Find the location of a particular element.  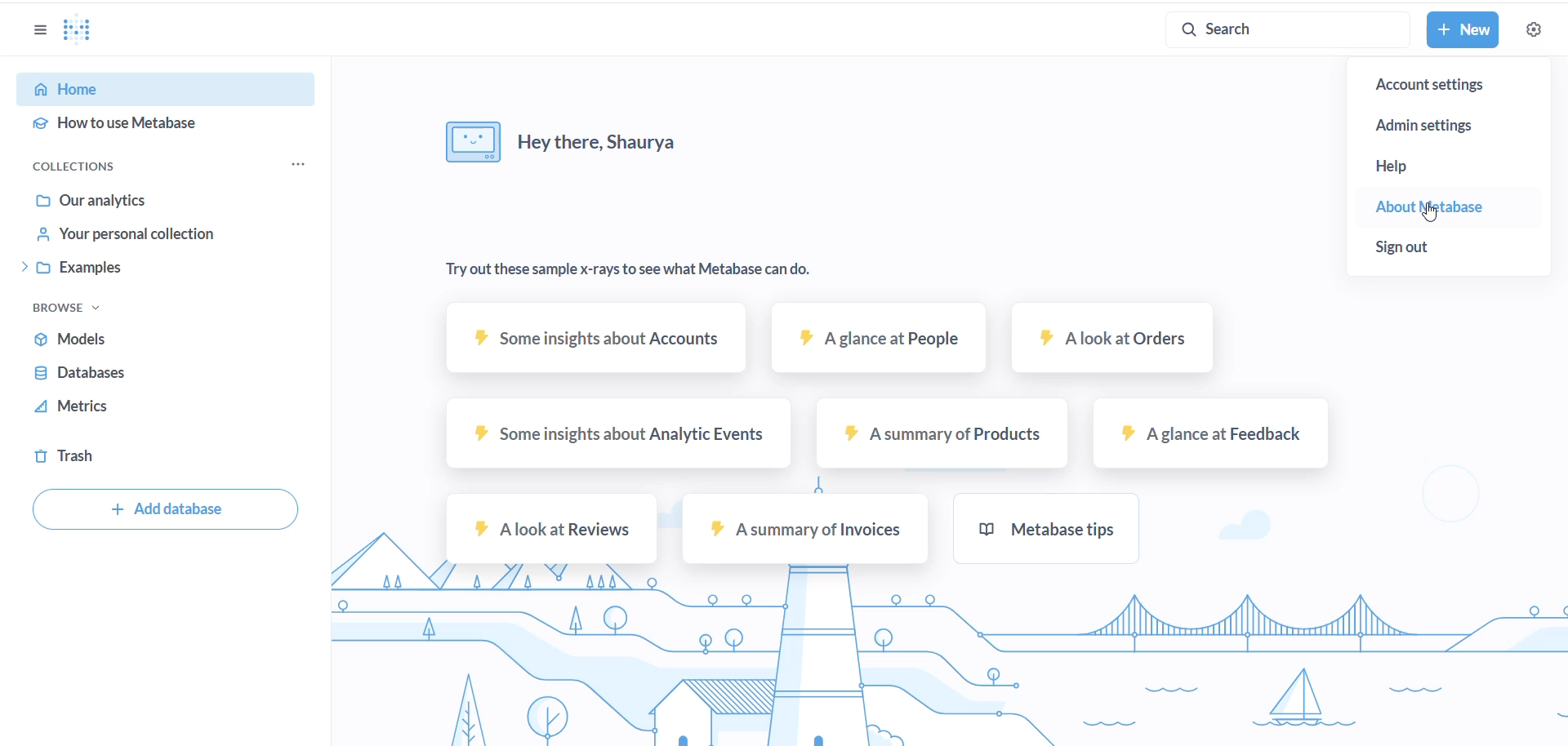

Examples is located at coordinates (158, 269).